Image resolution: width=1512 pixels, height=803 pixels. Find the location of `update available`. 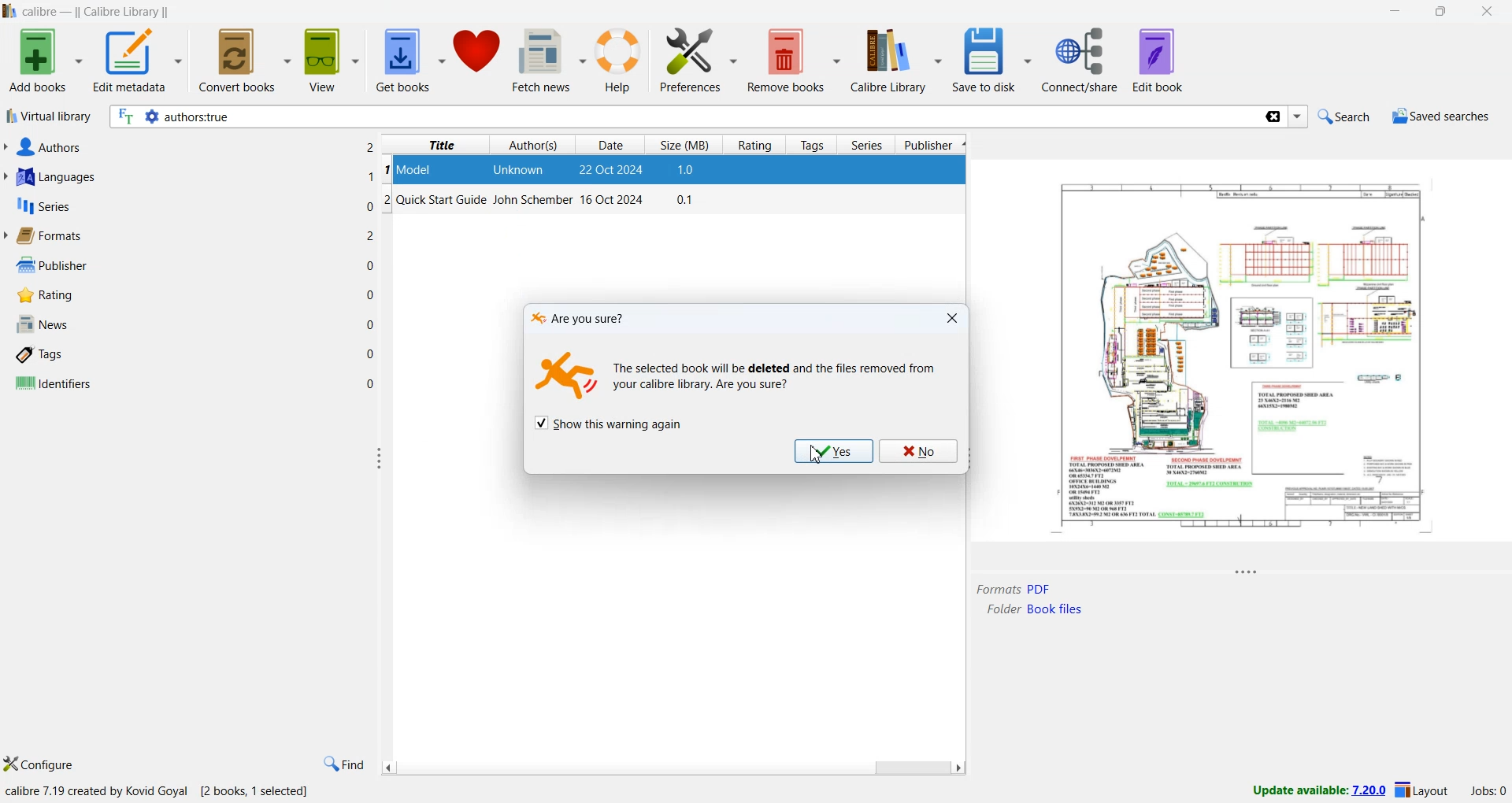

update available is located at coordinates (1311, 790).